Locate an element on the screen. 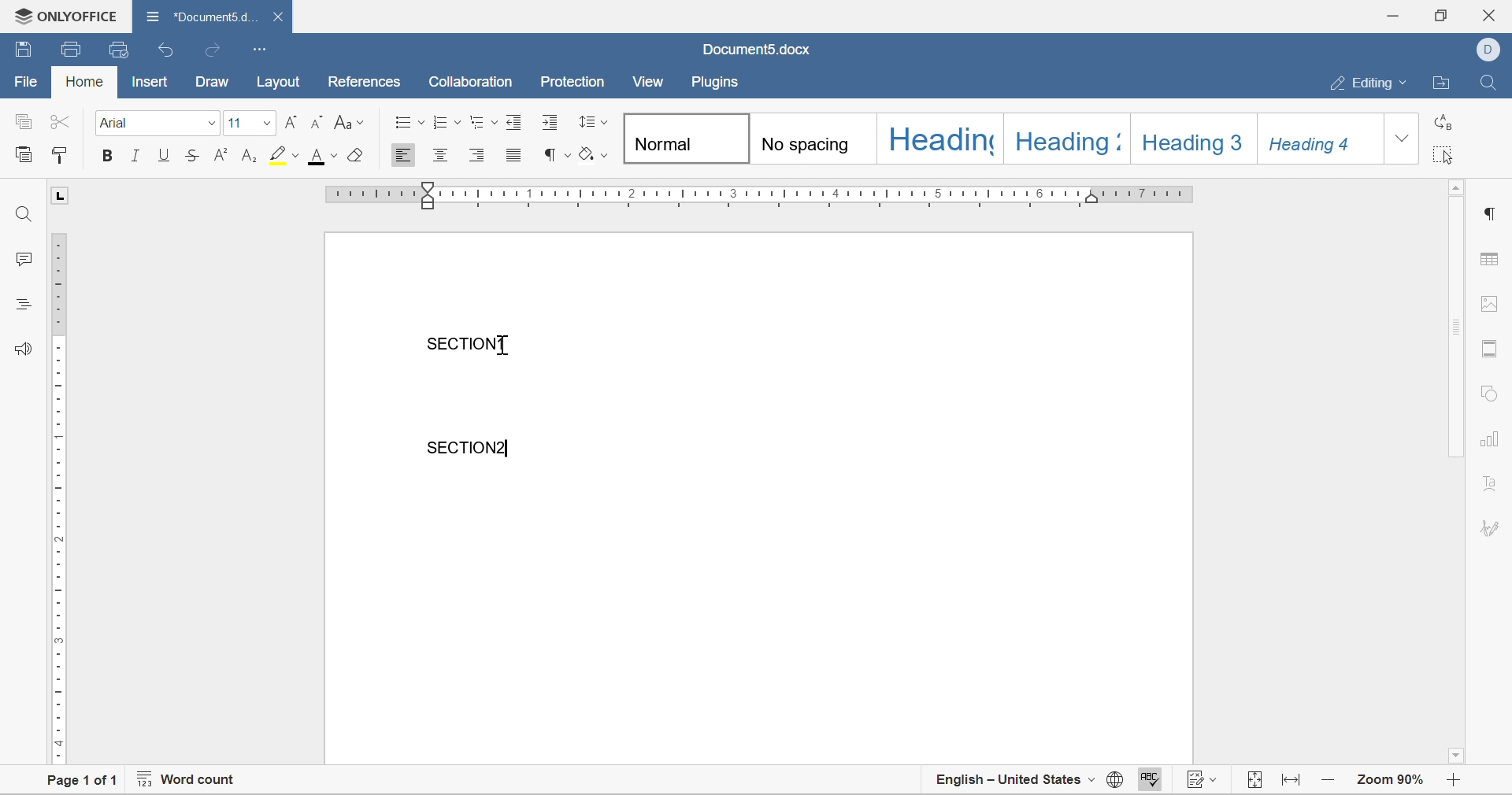 This screenshot has width=1512, height=795. line is located at coordinates (137, 154).